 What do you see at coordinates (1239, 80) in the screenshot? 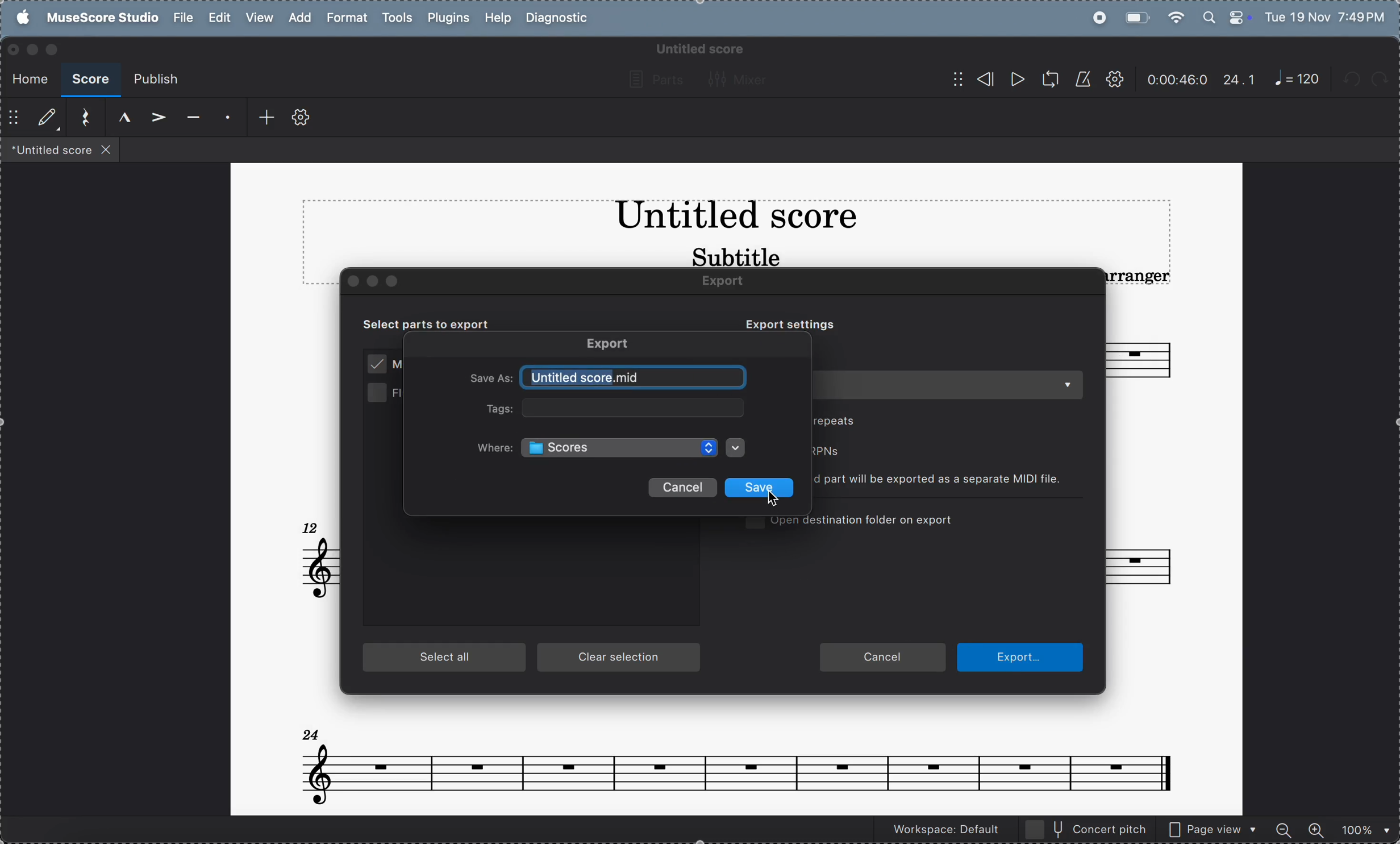
I see `24.1` at bounding box center [1239, 80].